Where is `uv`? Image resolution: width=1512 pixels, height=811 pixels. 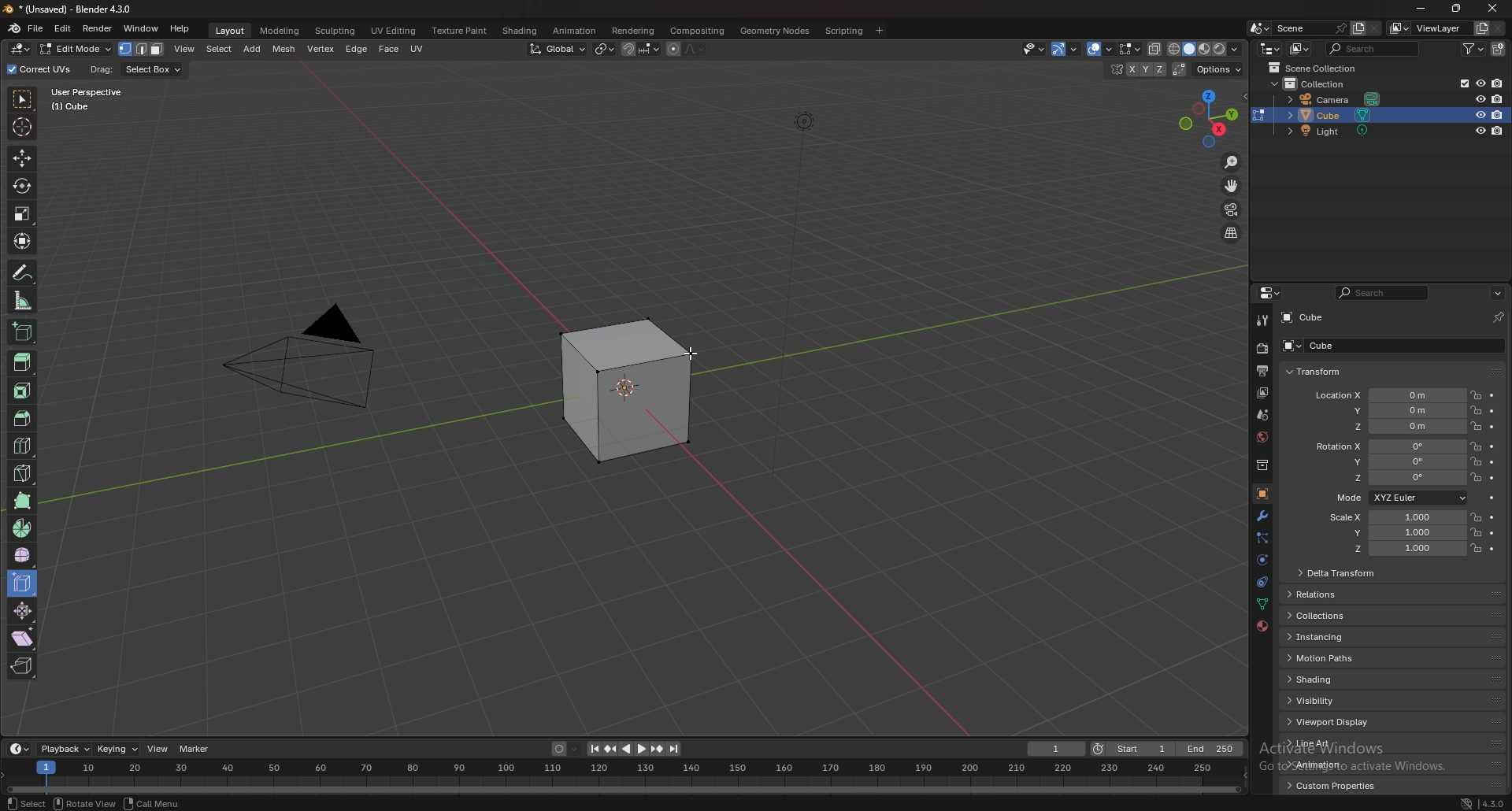 uv is located at coordinates (417, 49).